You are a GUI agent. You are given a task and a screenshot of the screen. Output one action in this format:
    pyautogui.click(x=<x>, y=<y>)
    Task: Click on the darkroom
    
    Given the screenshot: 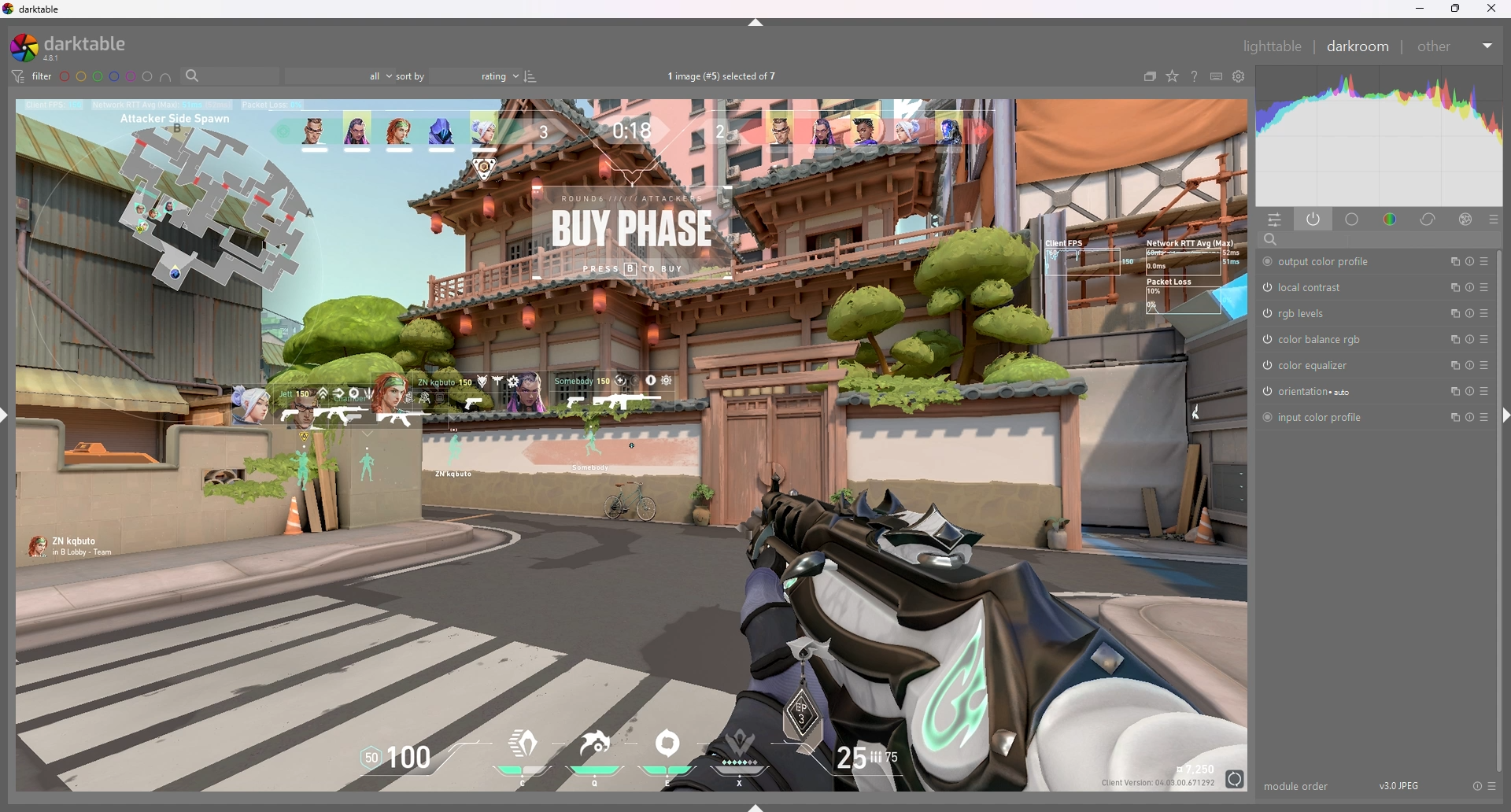 What is the action you would take?
    pyautogui.click(x=1361, y=46)
    